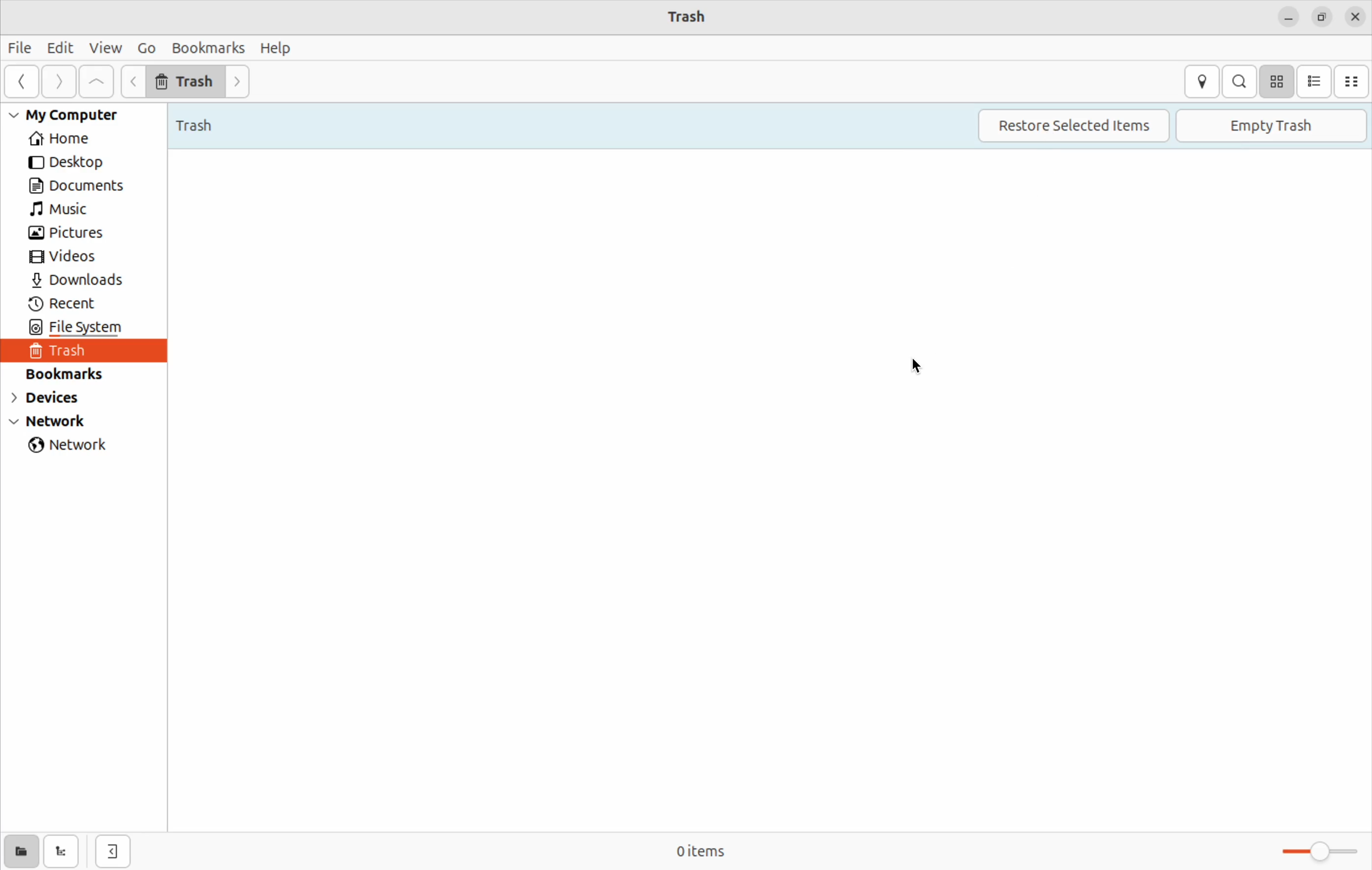  Describe the element at coordinates (61, 47) in the screenshot. I see `Edit` at that location.